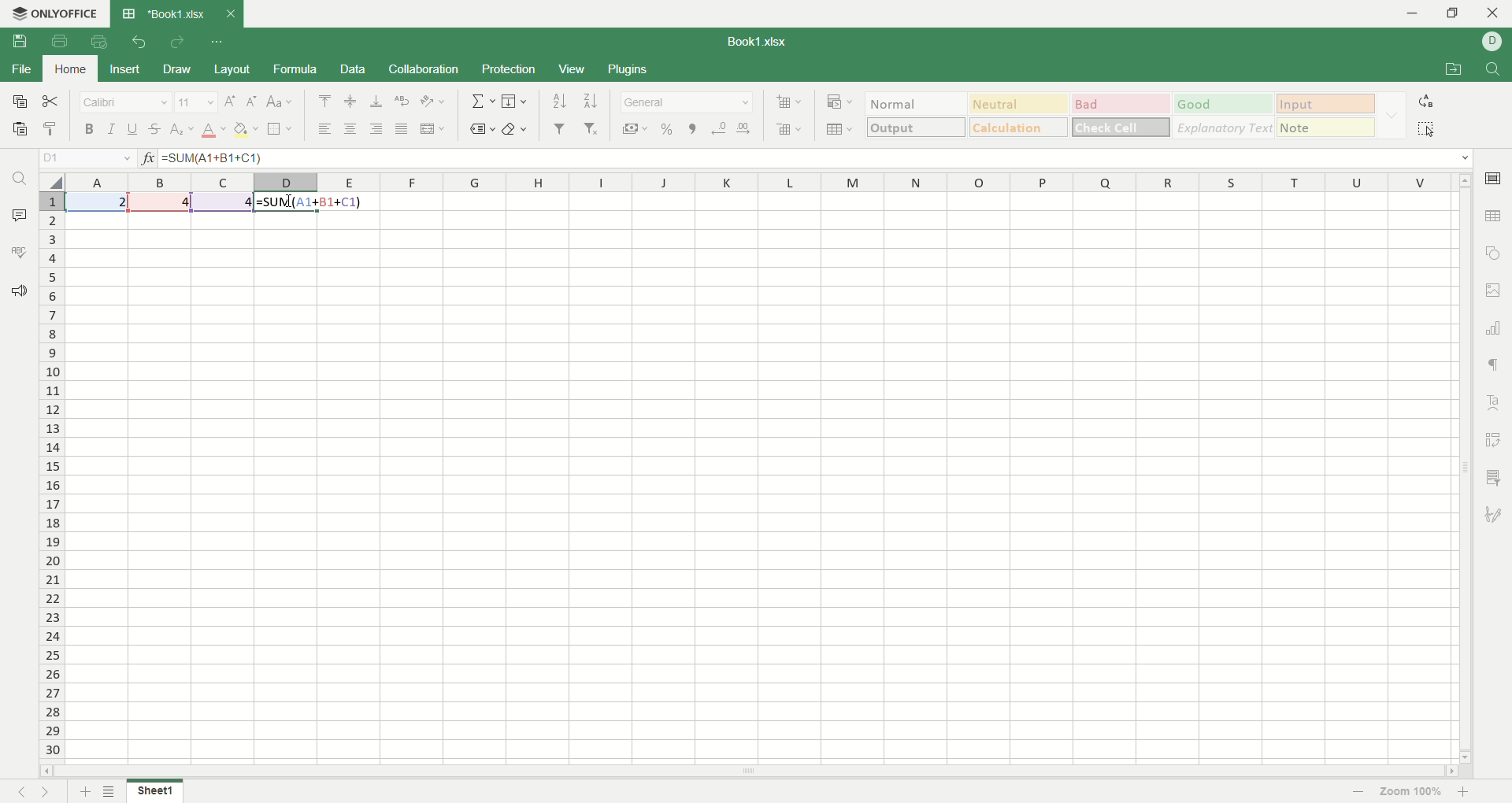 The height and width of the screenshot is (803, 1512). Describe the element at coordinates (838, 131) in the screenshot. I see `format as table template` at that location.